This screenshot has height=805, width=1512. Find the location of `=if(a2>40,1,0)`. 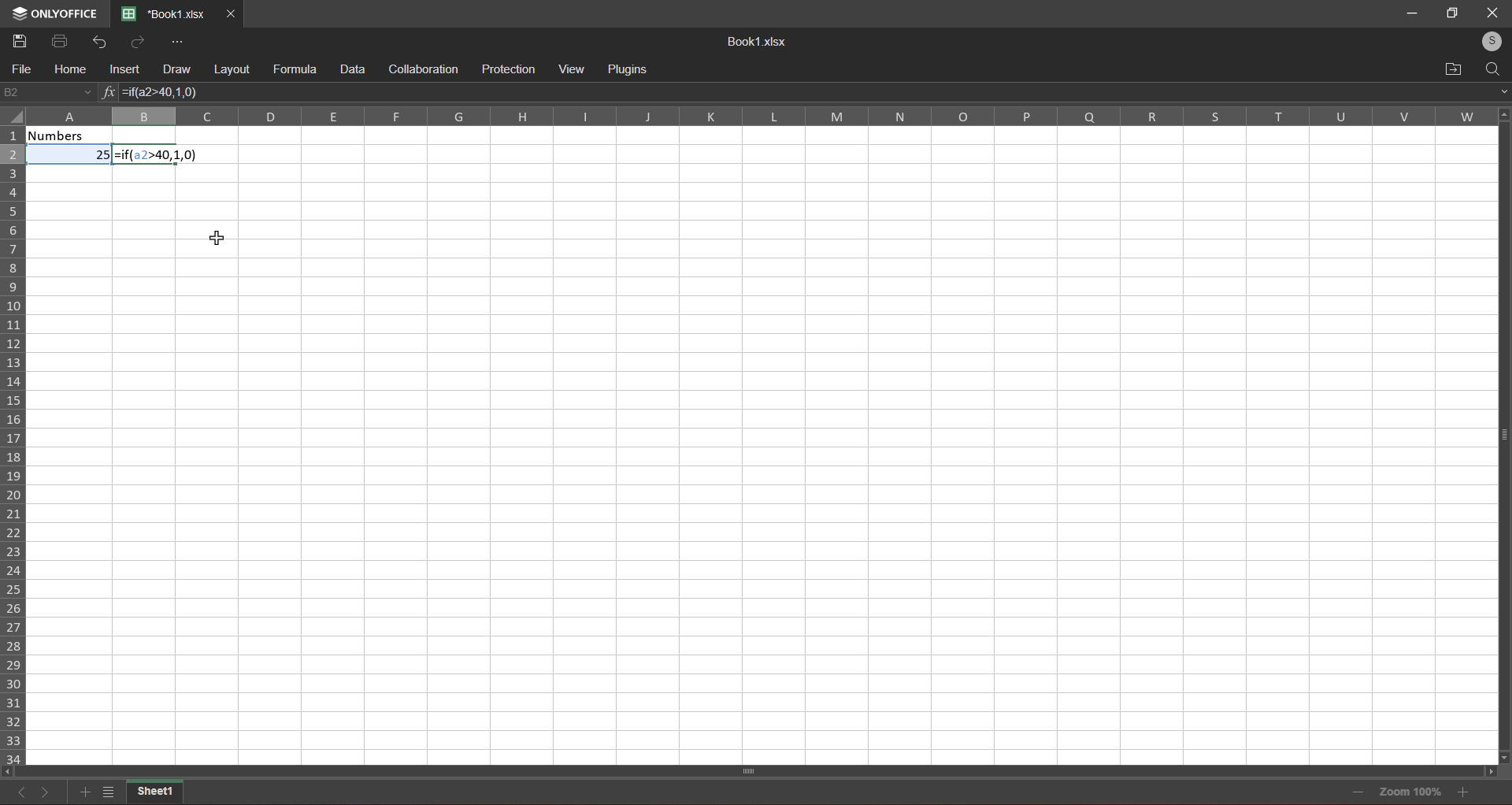

=if(a2>40,1,0) is located at coordinates (169, 94).